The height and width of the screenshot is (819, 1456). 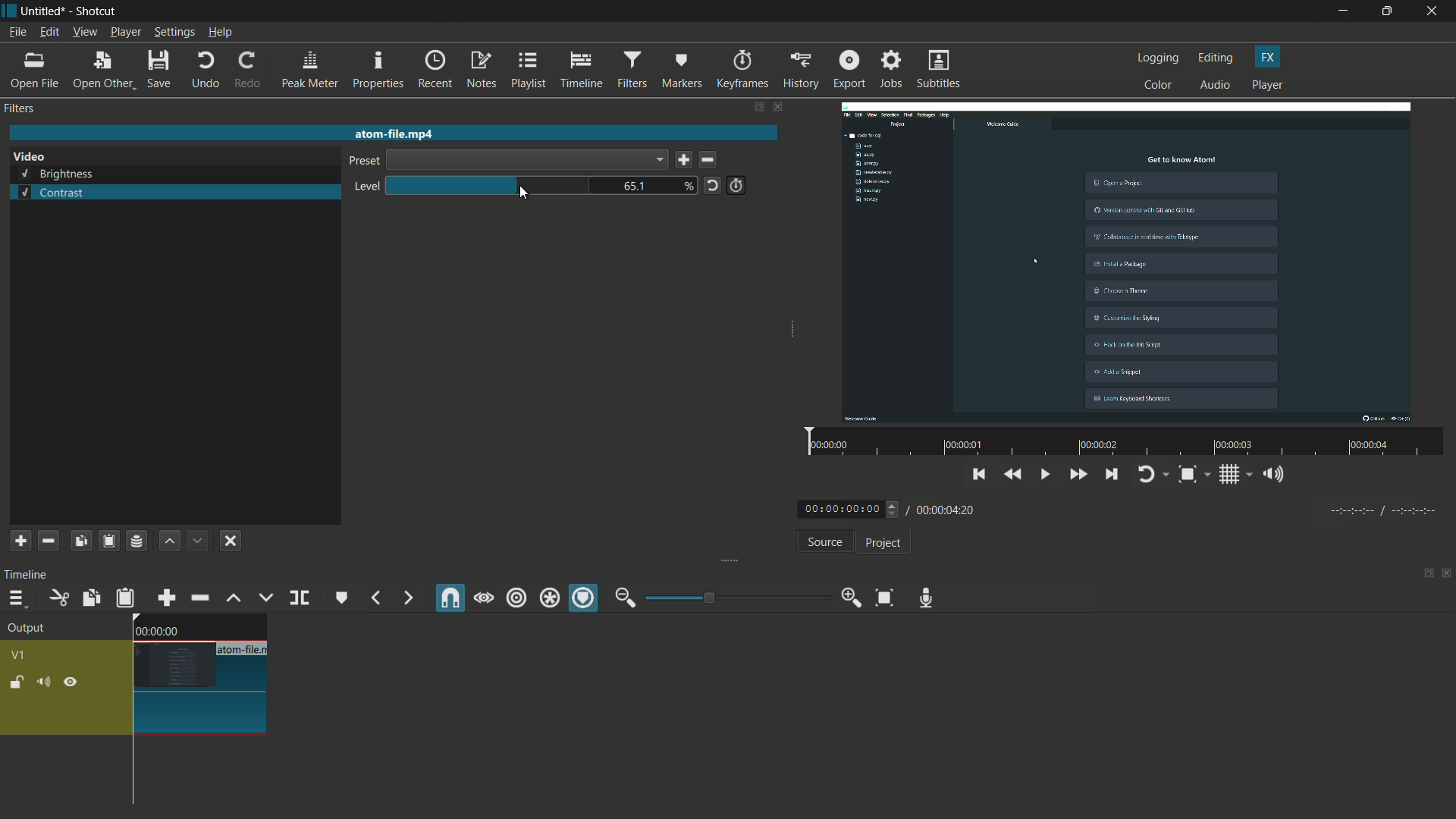 What do you see at coordinates (198, 674) in the screenshot?
I see `video on timeline` at bounding box center [198, 674].